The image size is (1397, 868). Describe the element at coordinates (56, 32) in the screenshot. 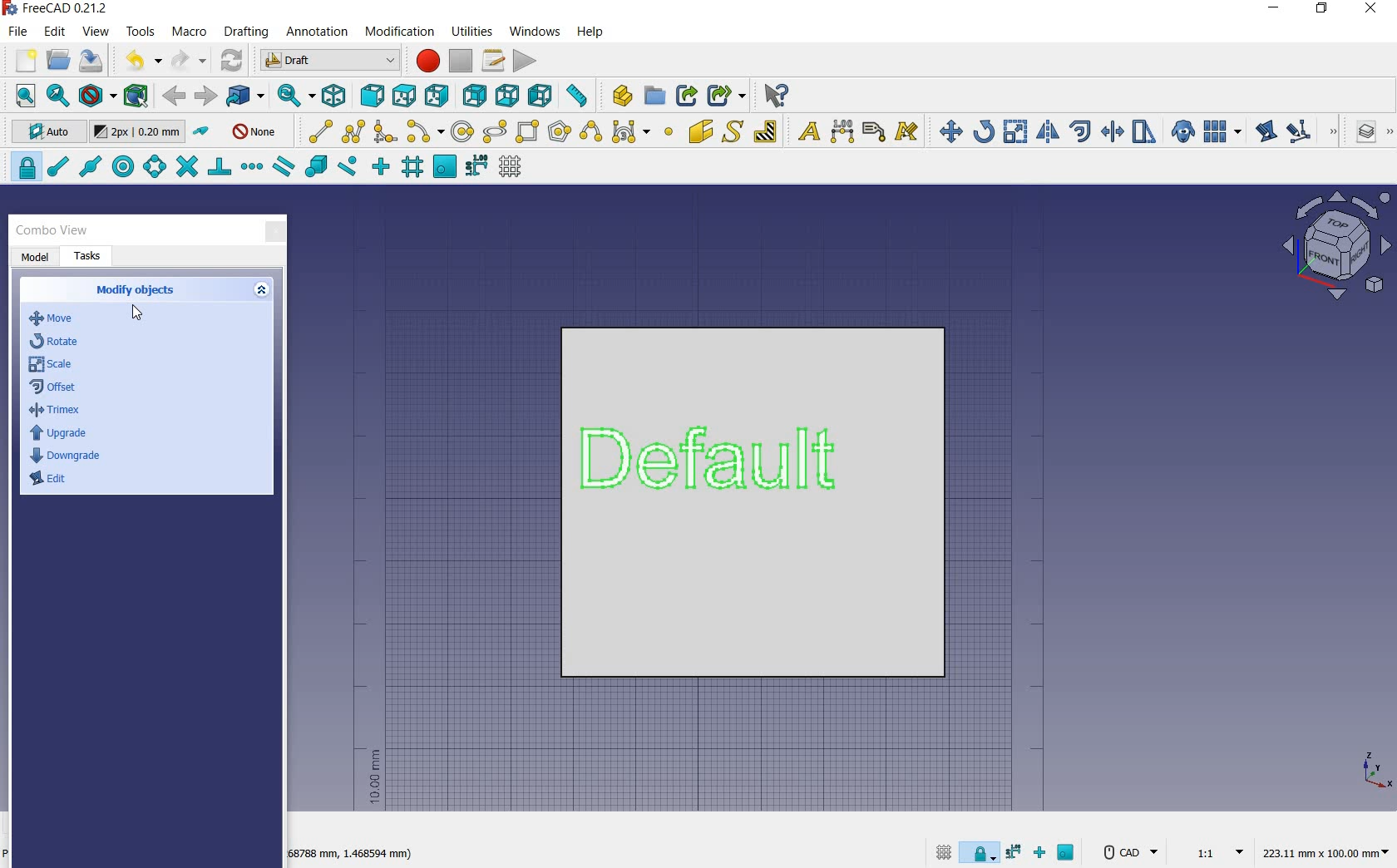

I see `edit` at that location.